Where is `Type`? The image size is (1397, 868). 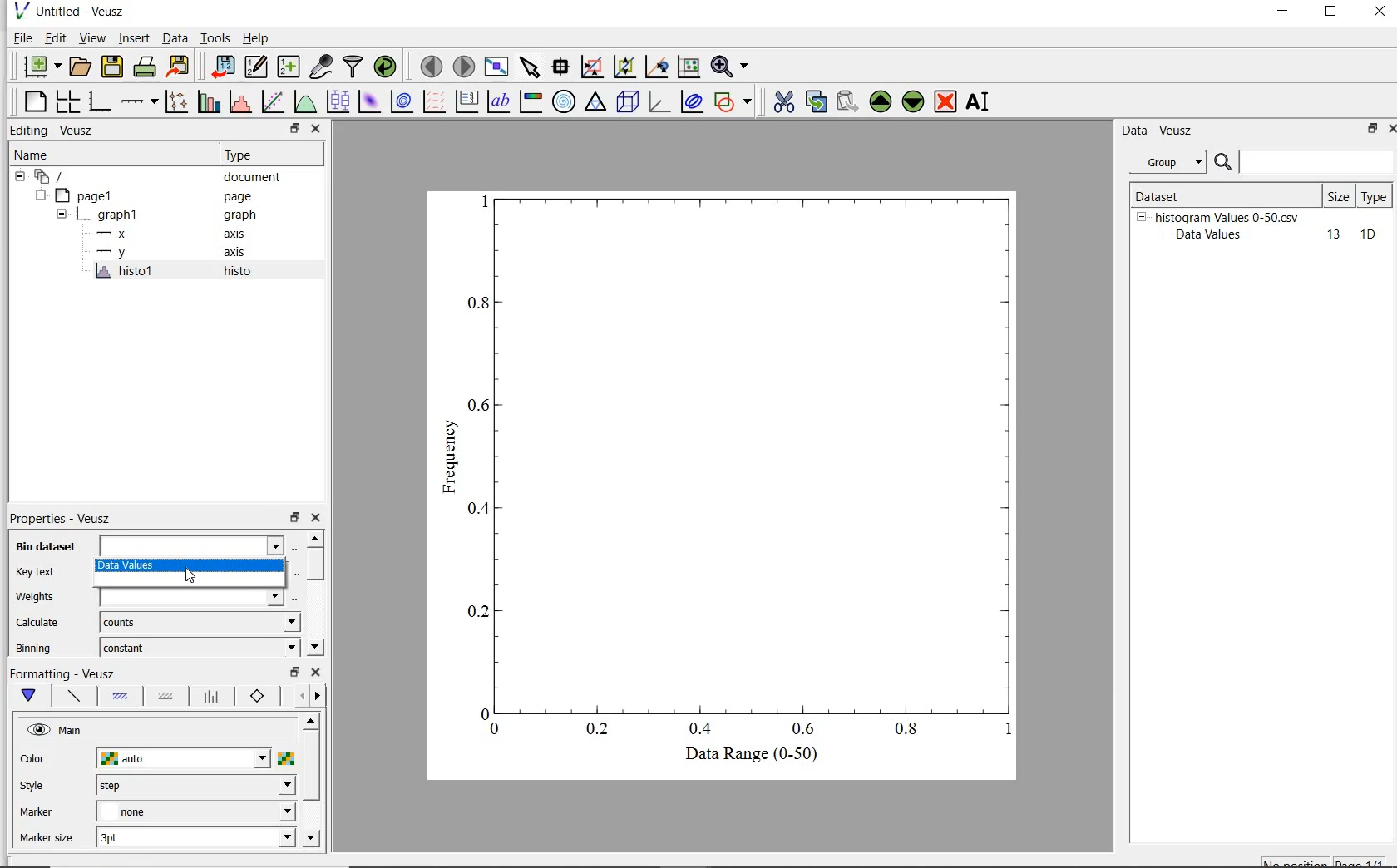 Type is located at coordinates (268, 155).